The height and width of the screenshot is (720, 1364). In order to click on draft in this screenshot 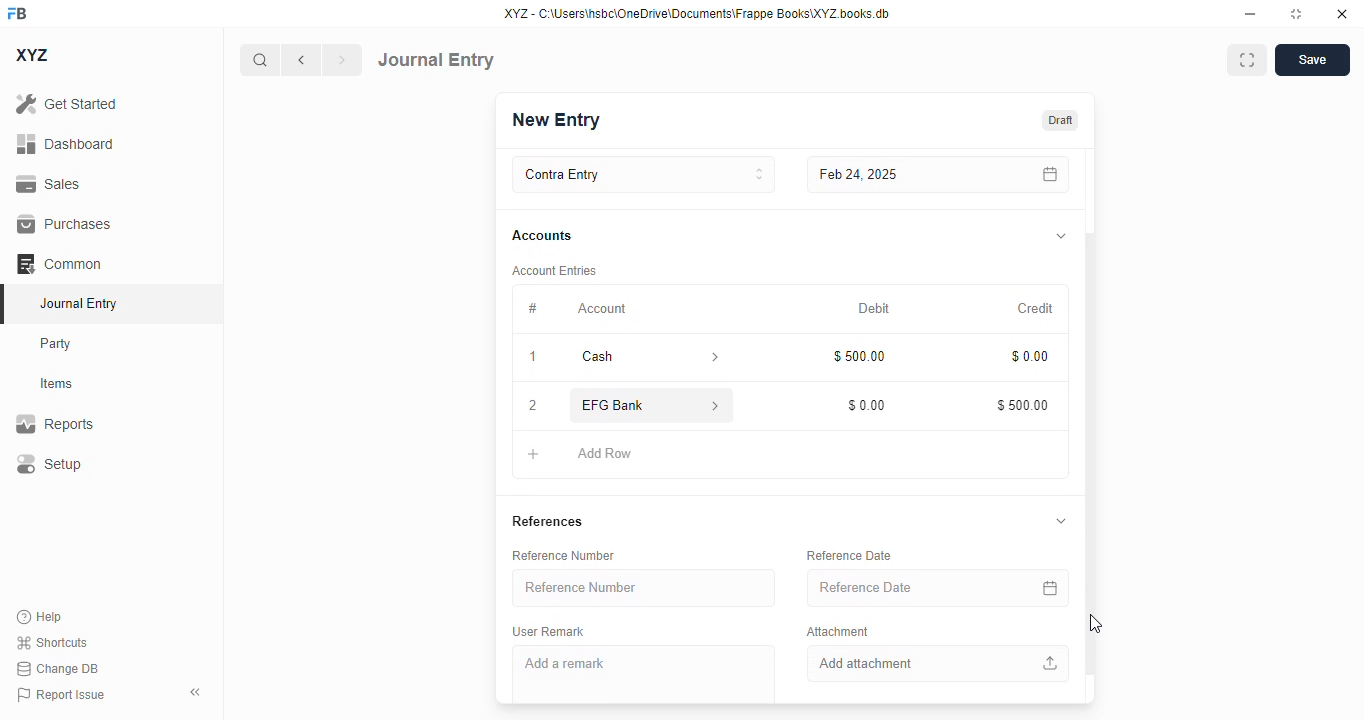, I will do `click(1061, 119)`.